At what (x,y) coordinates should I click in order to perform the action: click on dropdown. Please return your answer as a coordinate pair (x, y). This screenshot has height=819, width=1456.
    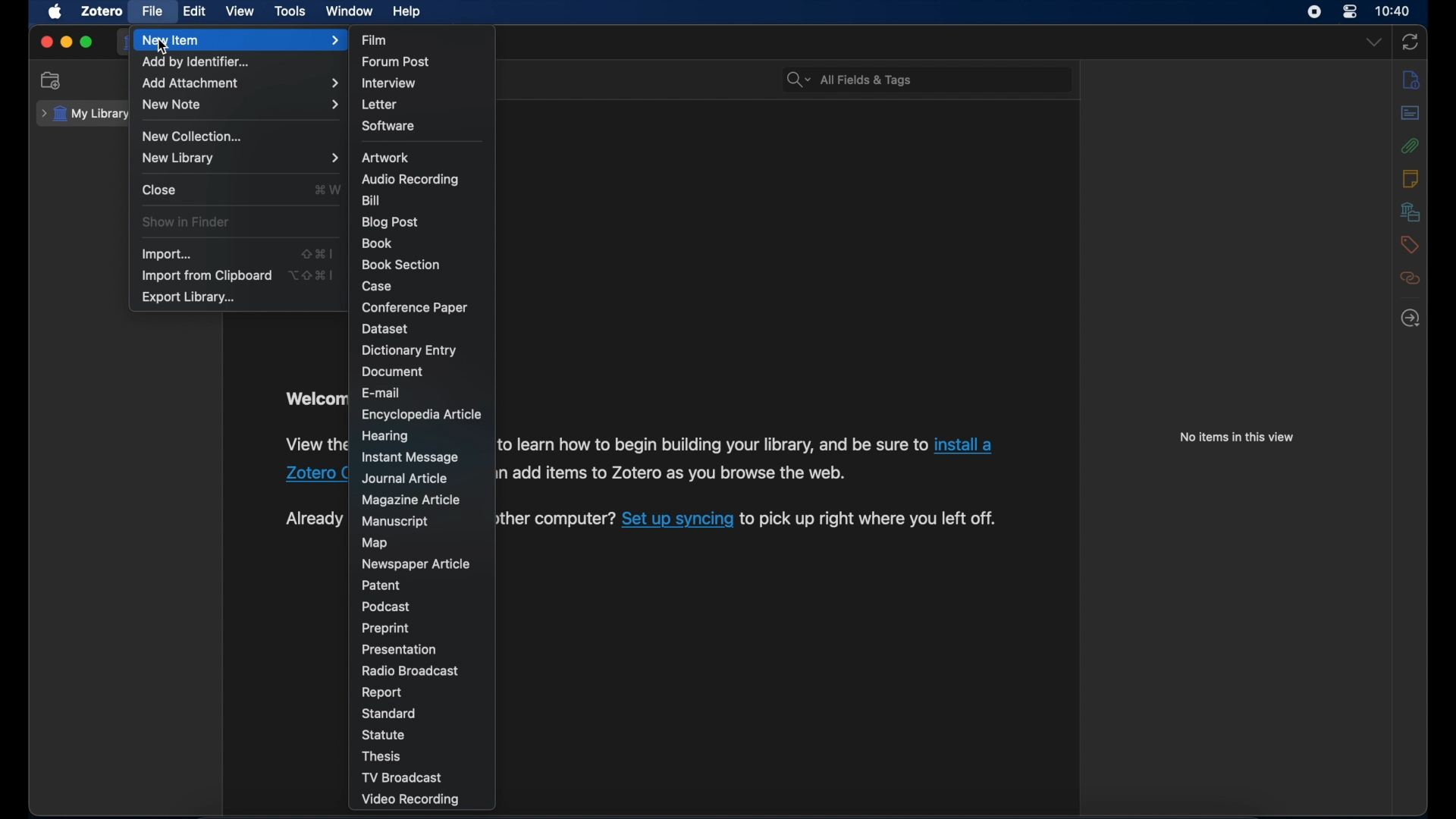
    Looking at the image, I should click on (1373, 41).